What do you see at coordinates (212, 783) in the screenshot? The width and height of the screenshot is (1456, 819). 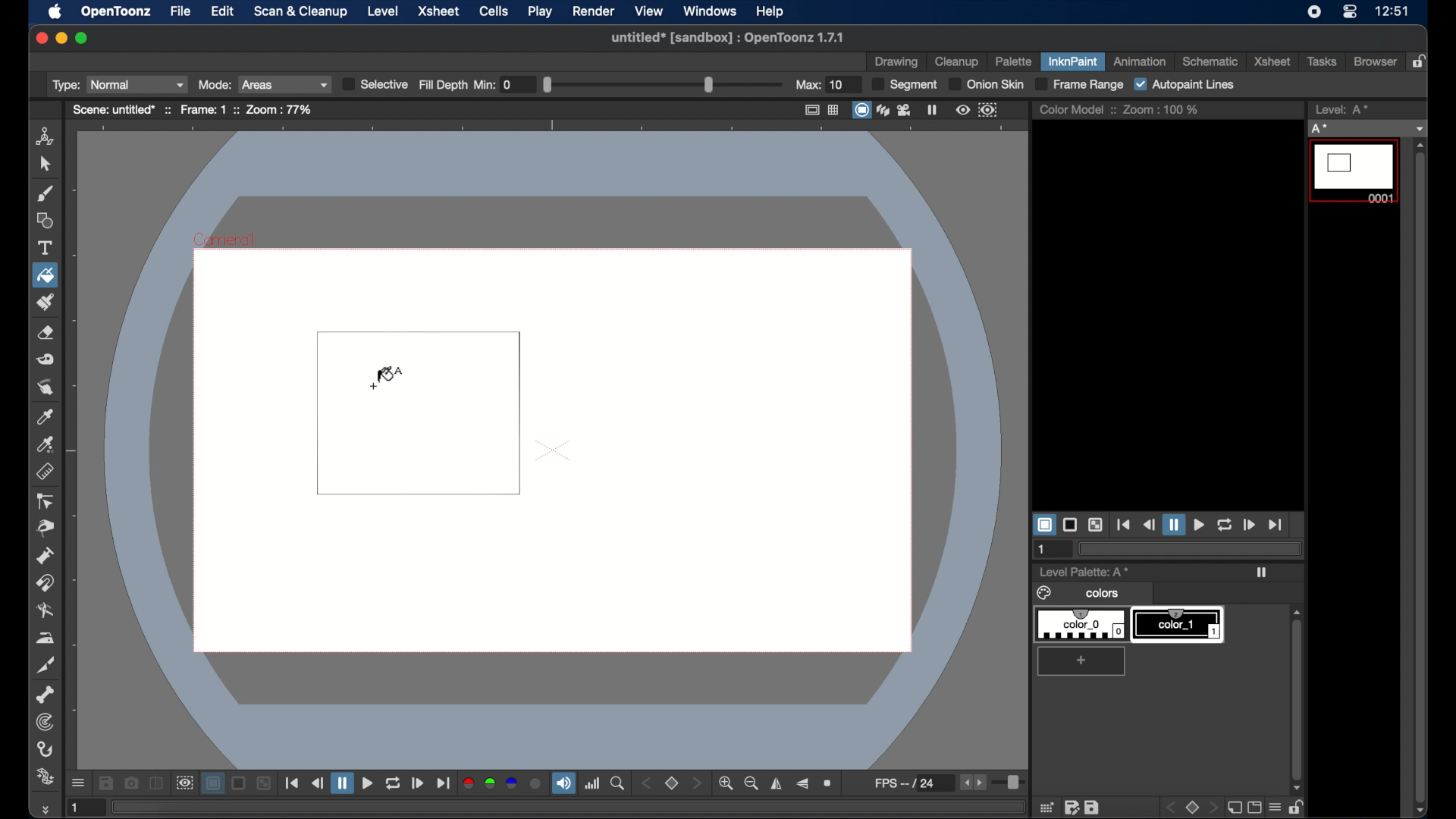 I see `white background` at bounding box center [212, 783].